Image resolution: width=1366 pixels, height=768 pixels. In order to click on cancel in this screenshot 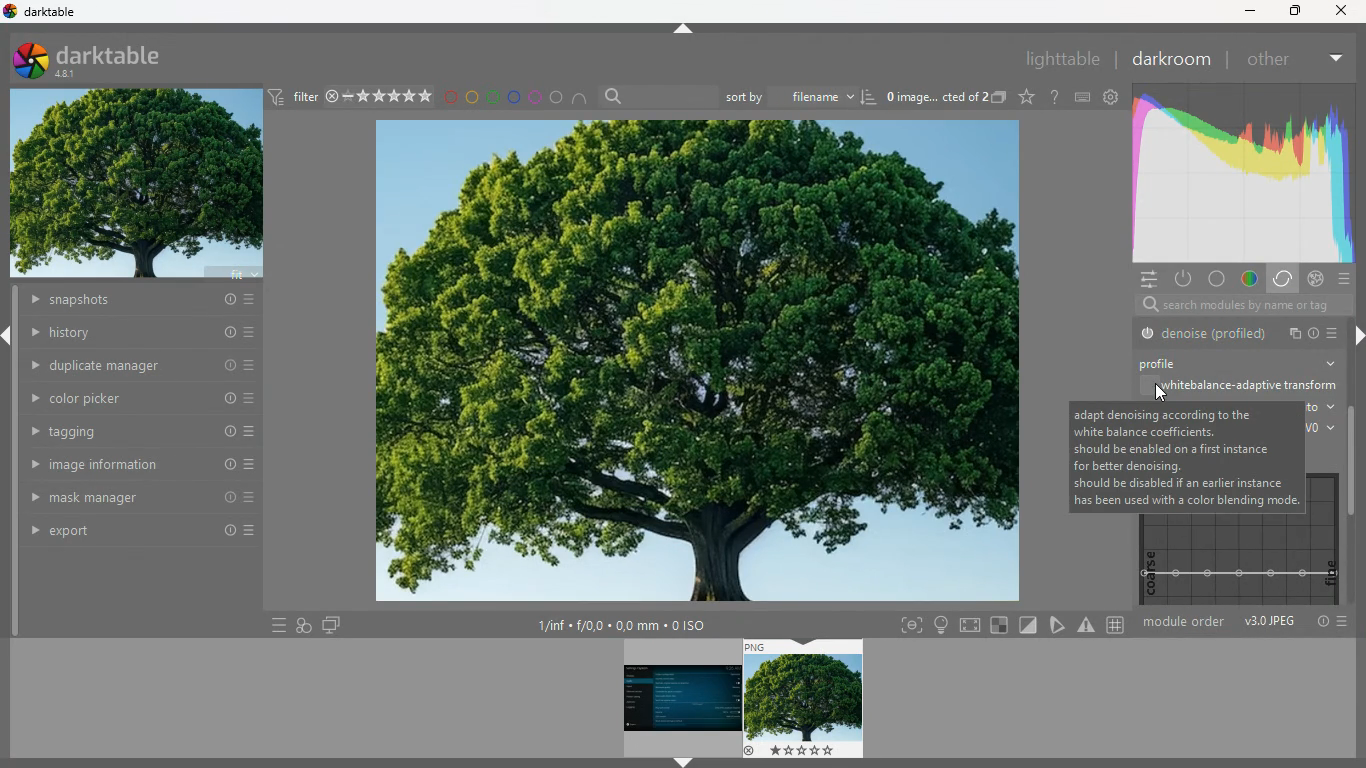, I will do `click(1316, 279)`.